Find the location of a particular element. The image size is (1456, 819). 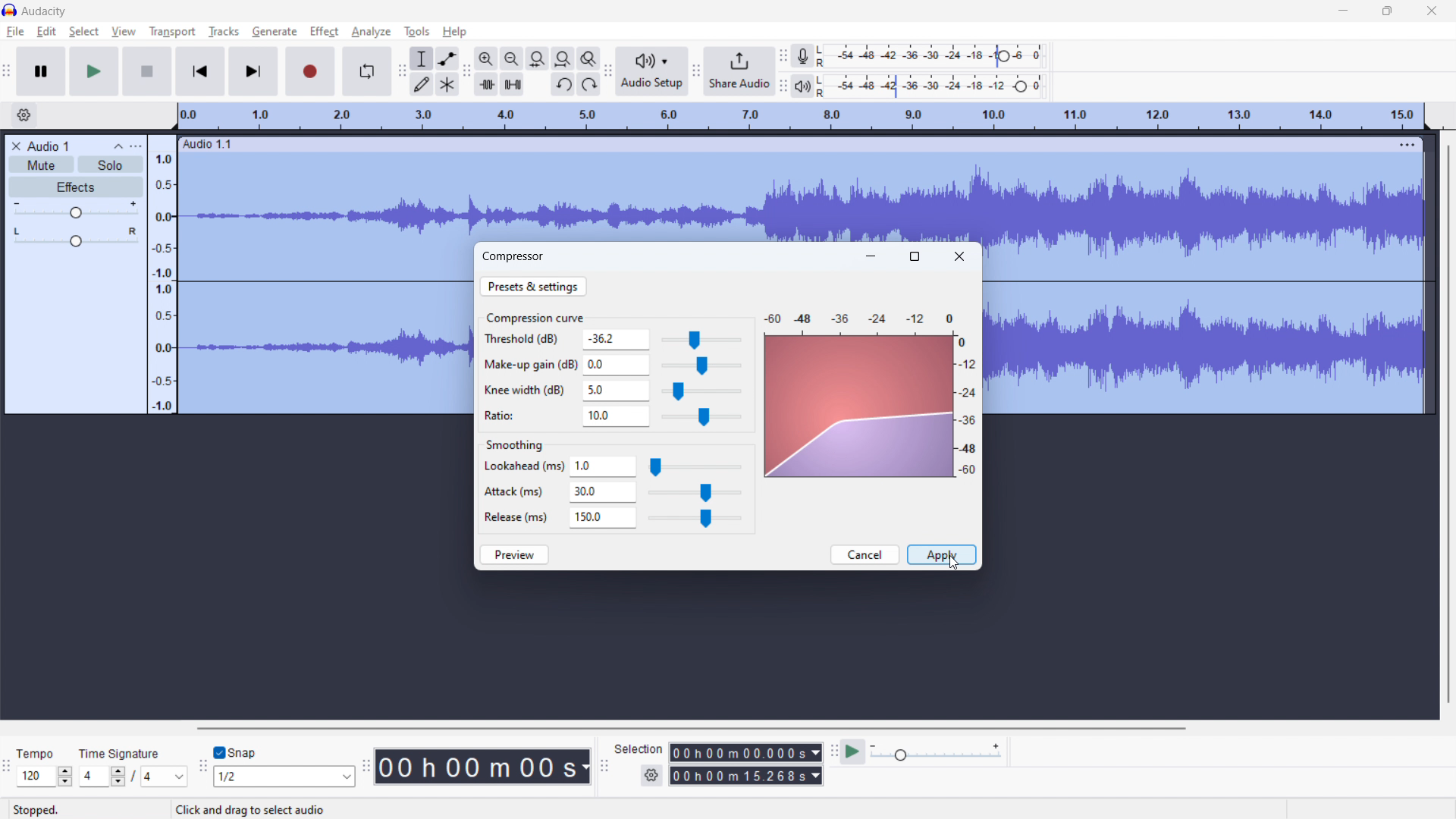

tracks is located at coordinates (223, 32).